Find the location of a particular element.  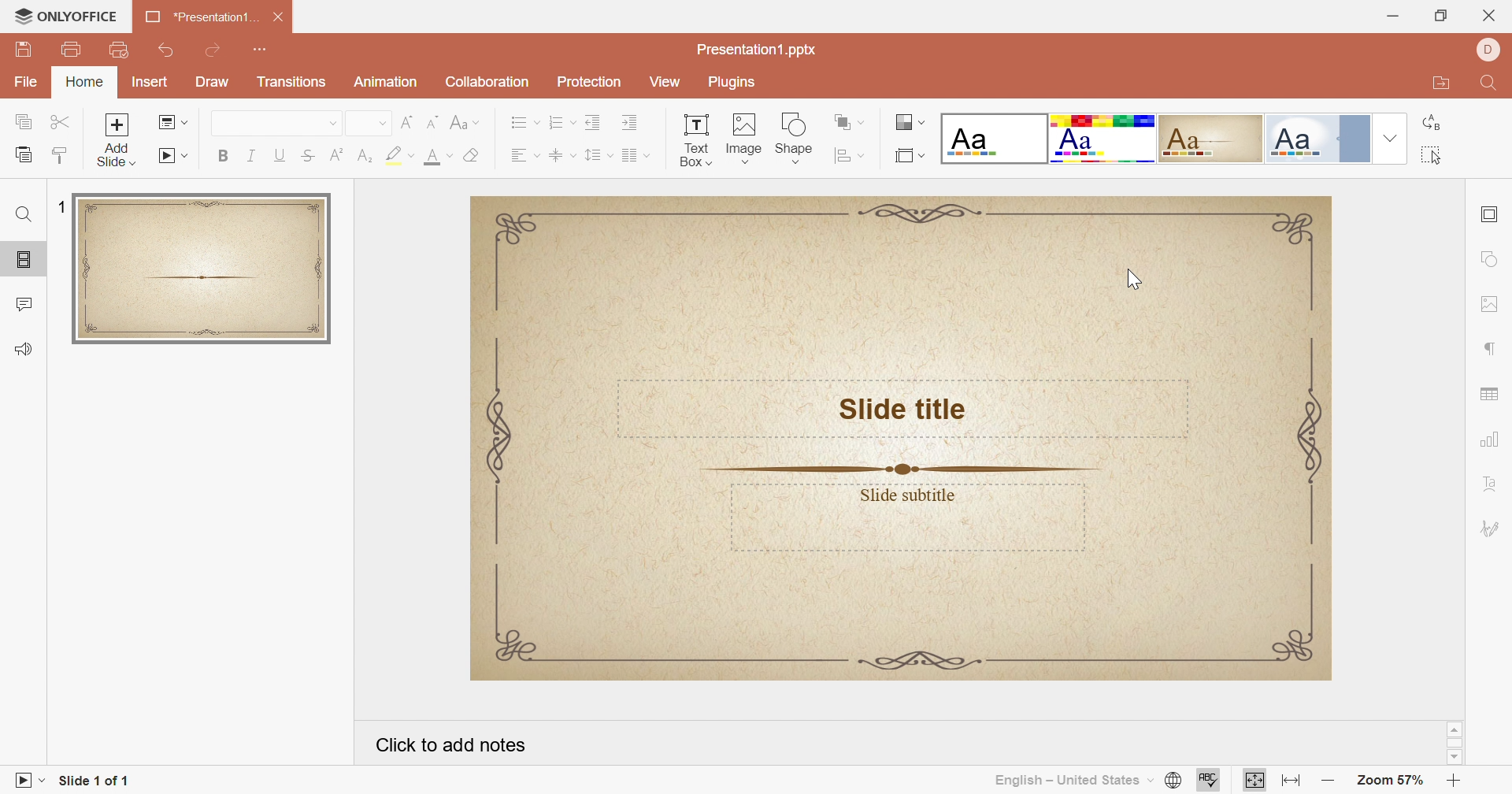

Zoom 57% is located at coordinates (1389, 781).